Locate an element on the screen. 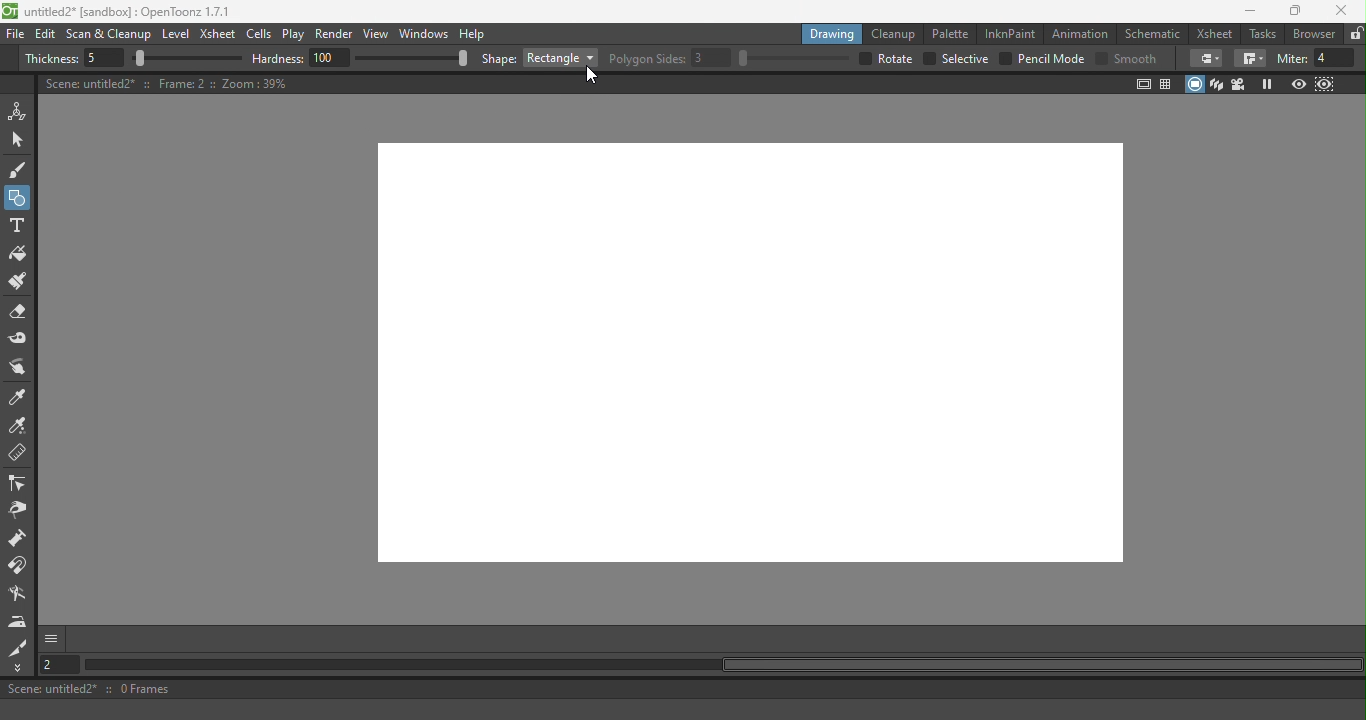  Control point editor tool is located at coordinates (20, 484).